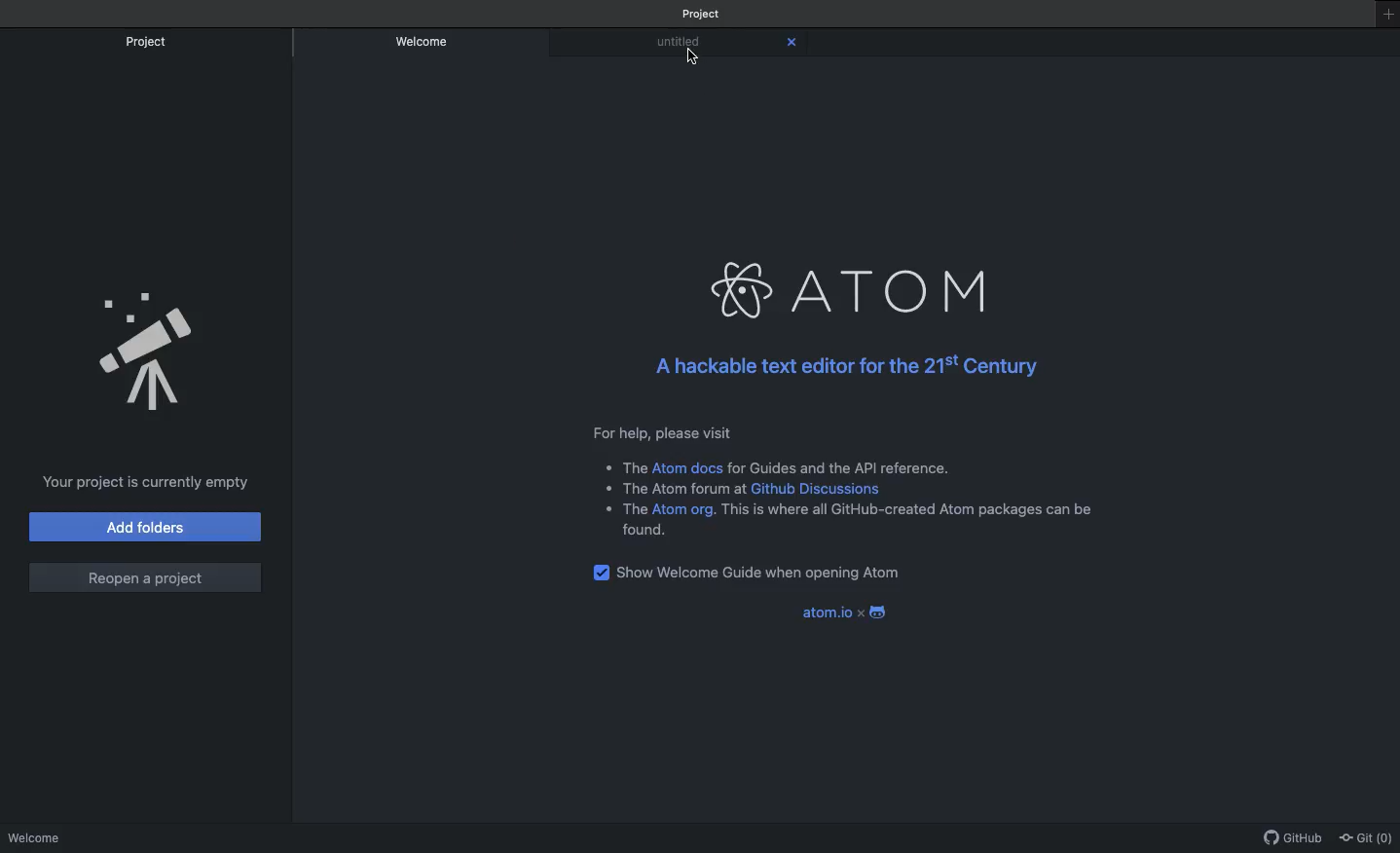 The width and height of the screenshot is (1400, 853). What do you see at coordinates (601, 573) in the screenshot?
I see `checkbox` at bounding box center [601, 573].